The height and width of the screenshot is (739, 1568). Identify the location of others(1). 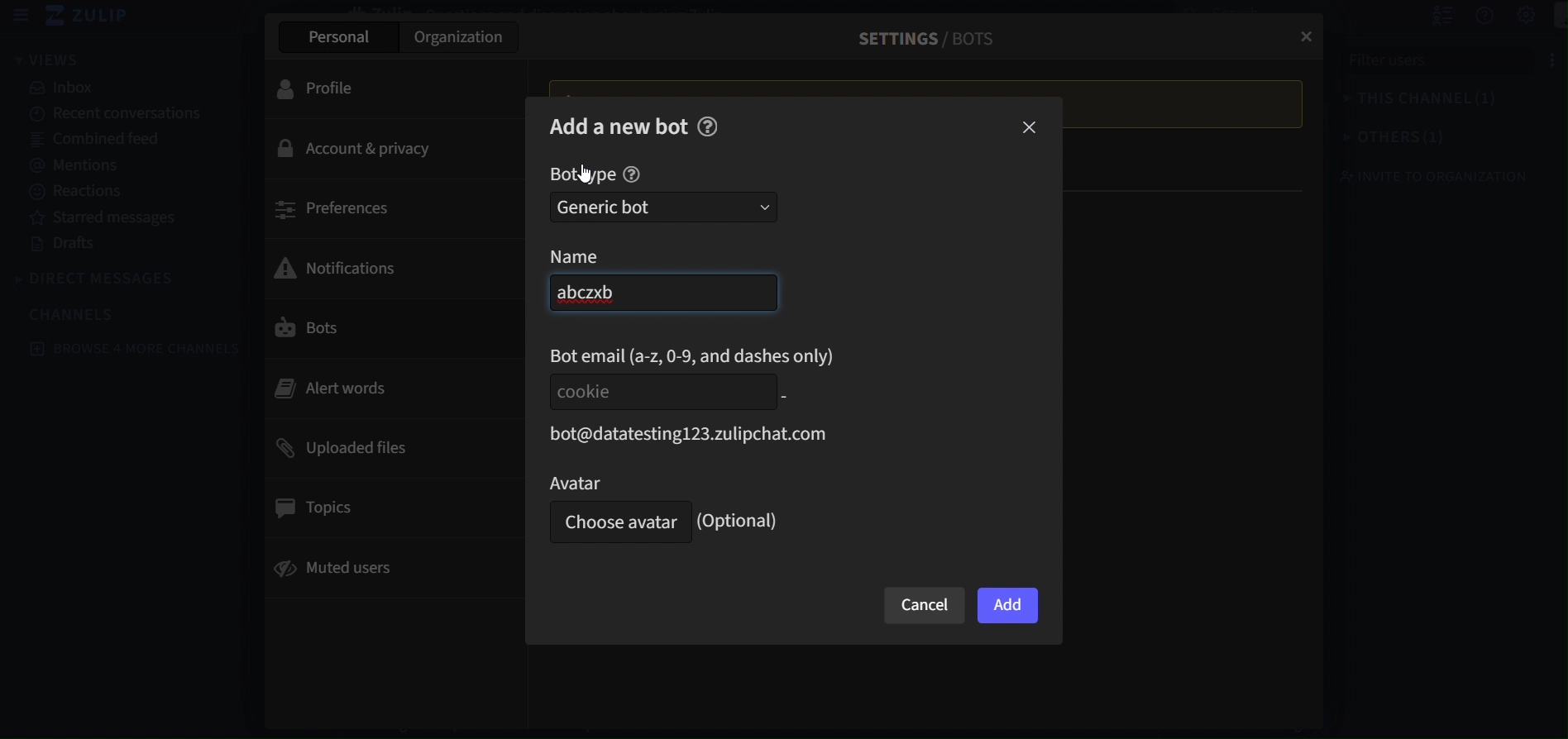
(1377, 139).